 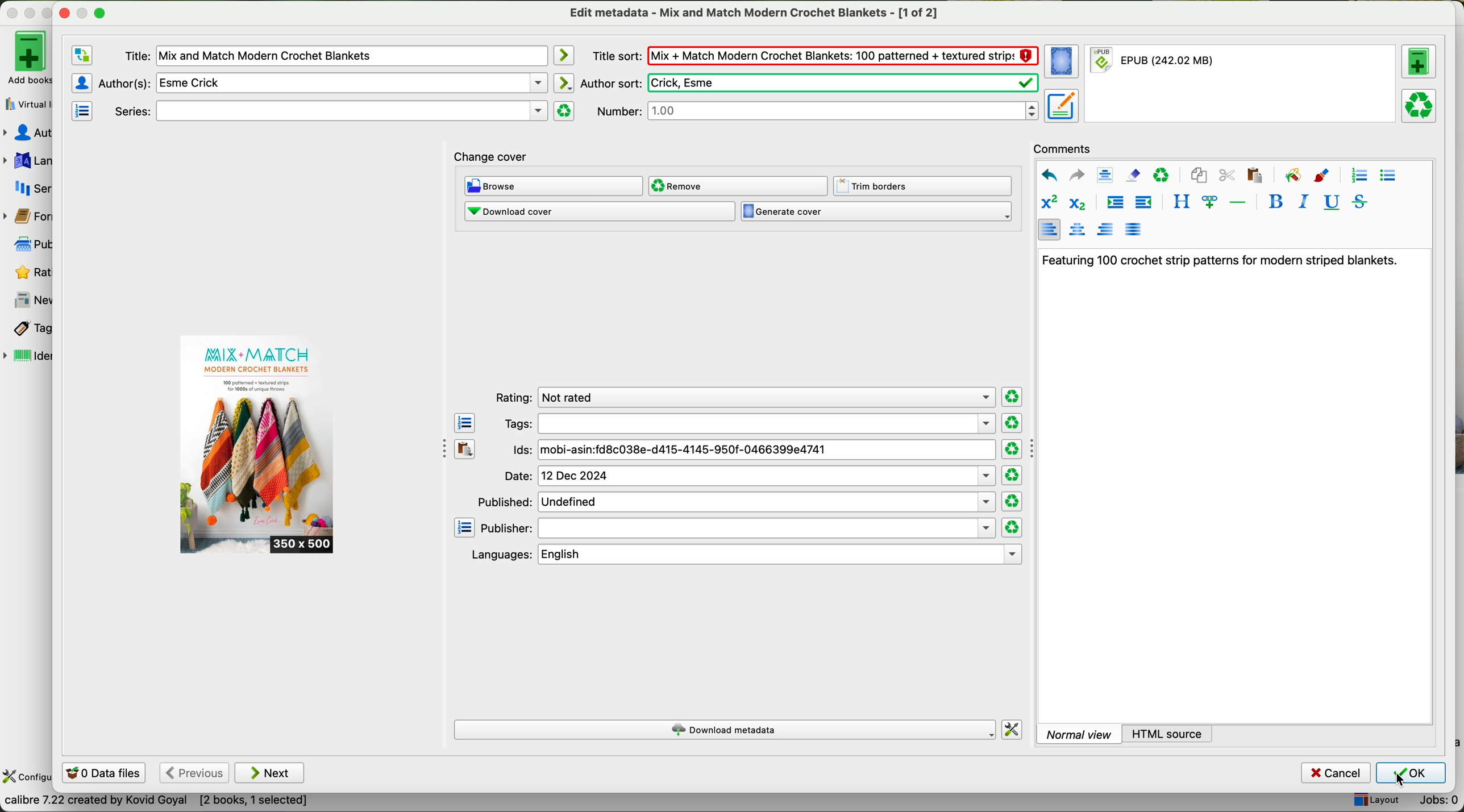 I want to click on book cover preview, so click(x=258, y=445).